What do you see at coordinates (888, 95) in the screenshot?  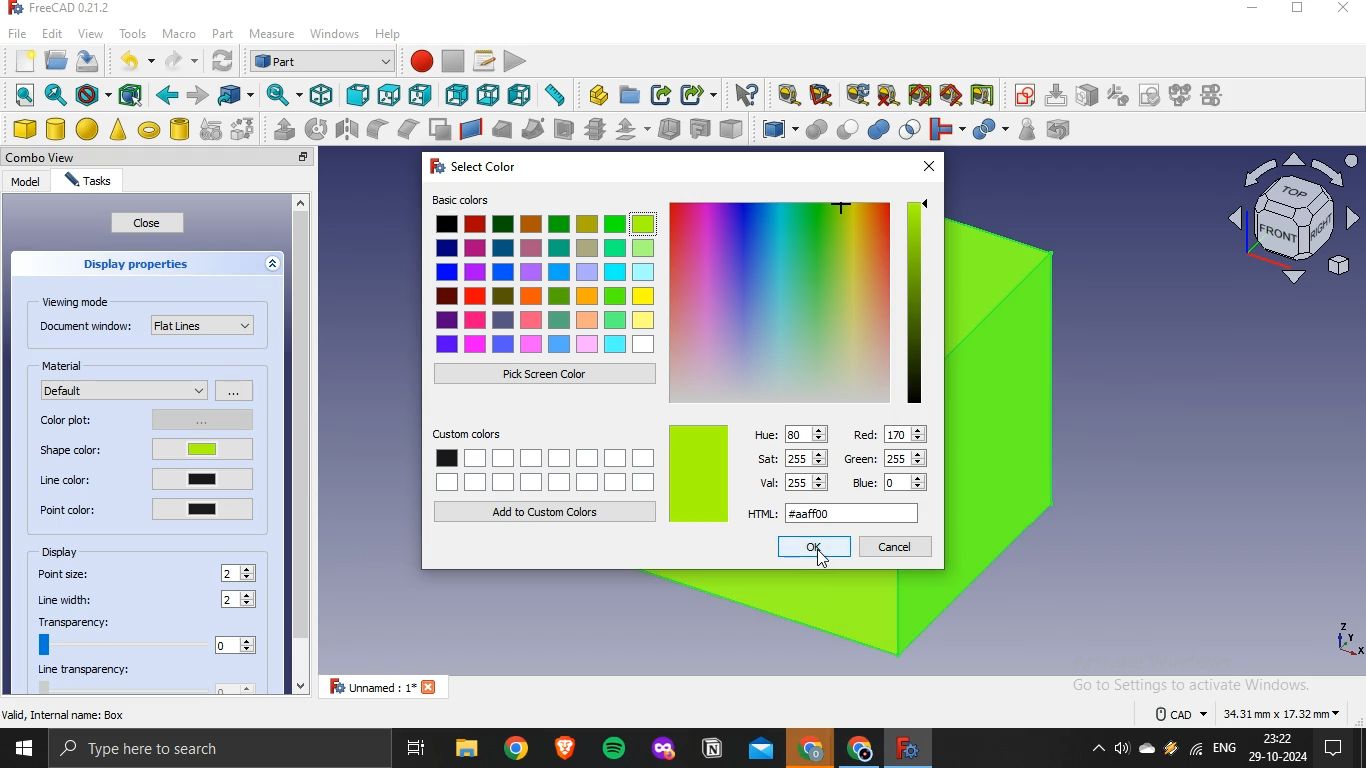 I see `clear all` at bounding box center [888, 95].